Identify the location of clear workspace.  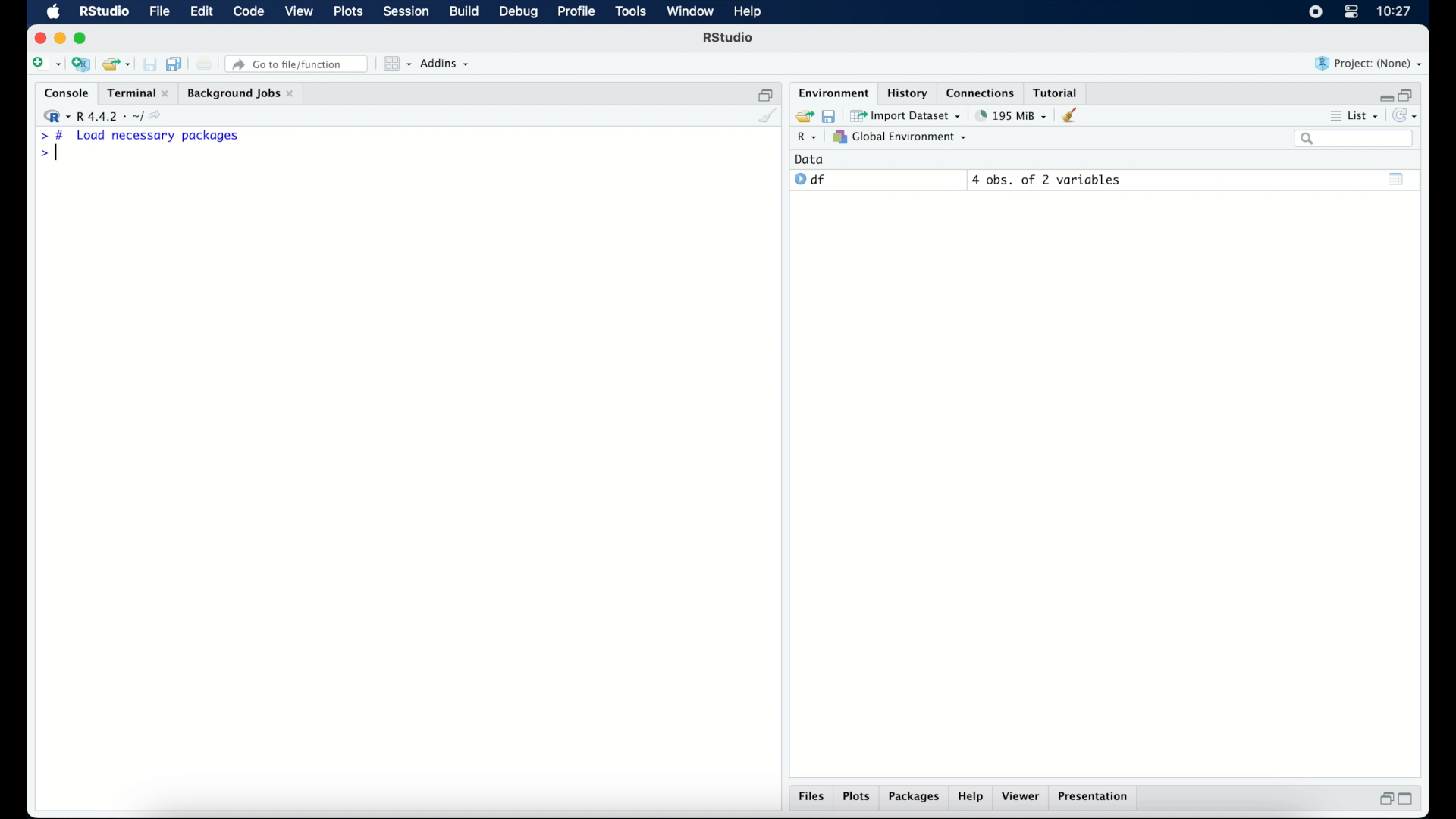
(1075, 116).